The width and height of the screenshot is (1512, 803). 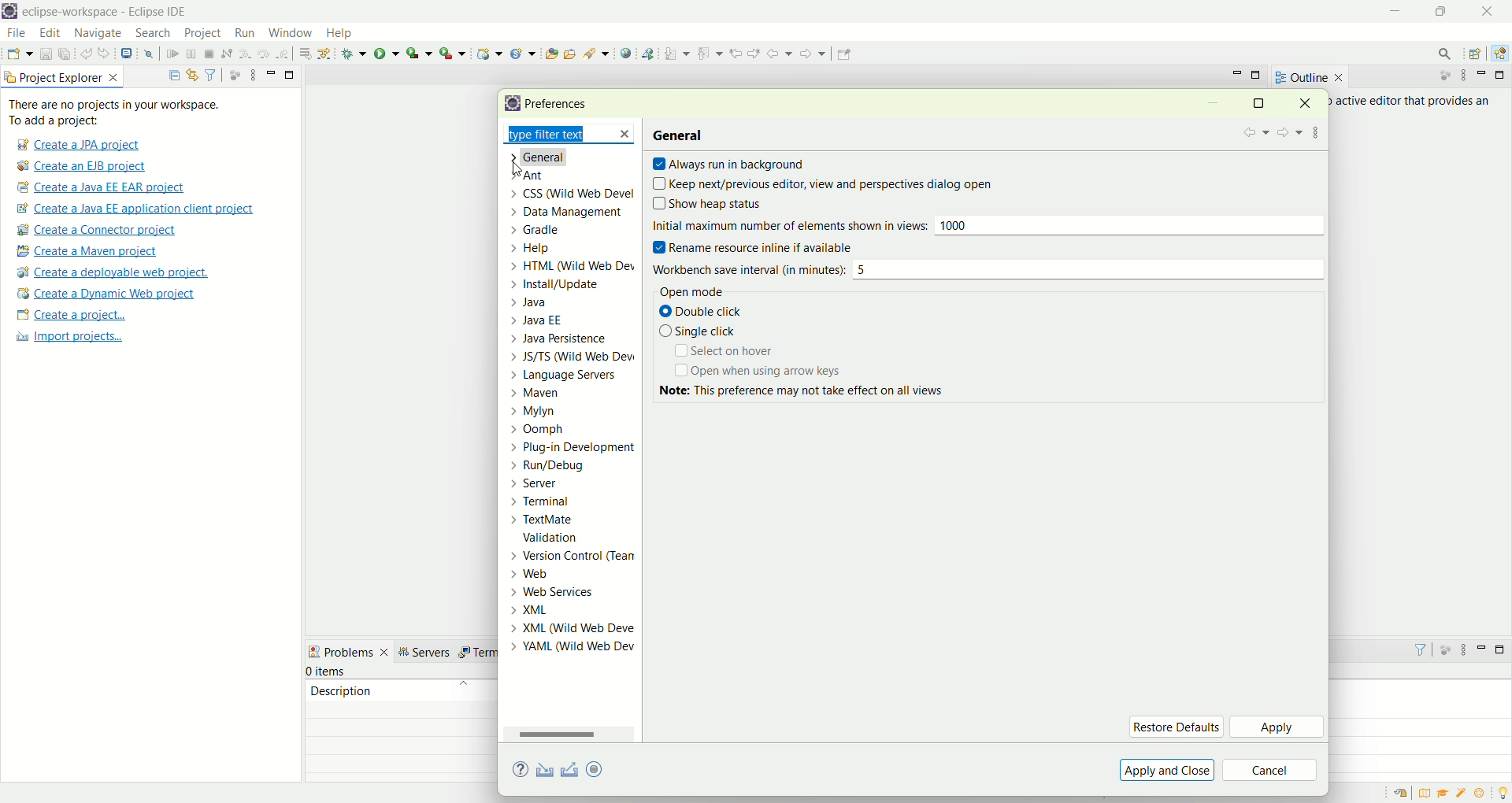 What do you see at coordinates (984, 270) in the screenshot?
I see `workbench save interval (in minutes): 5` at bounding box center [984, 270].